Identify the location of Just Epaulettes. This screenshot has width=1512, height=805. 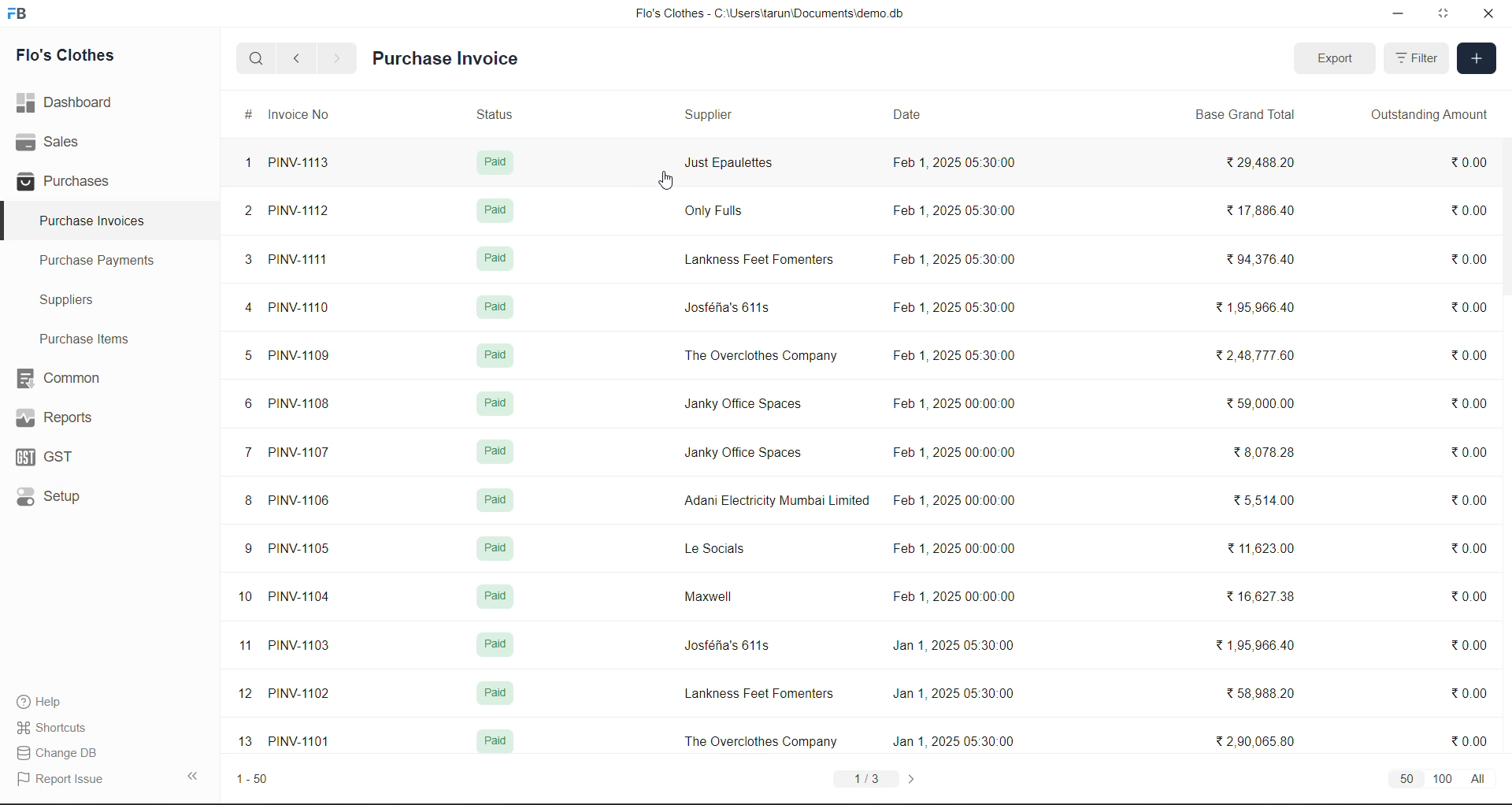
(730, 167).